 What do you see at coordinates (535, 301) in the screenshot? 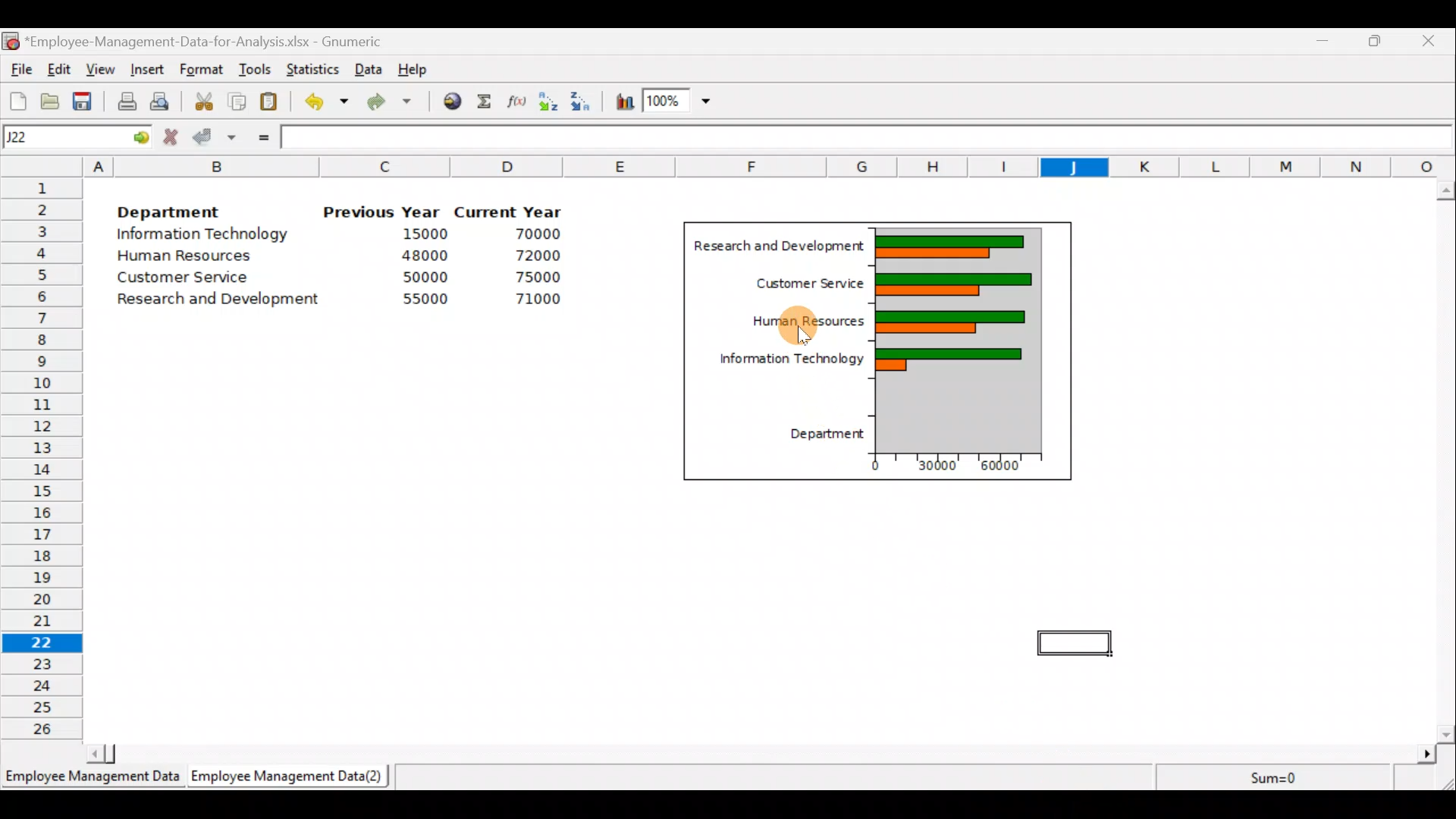
I see `71000` at bounding box center [535, 301].